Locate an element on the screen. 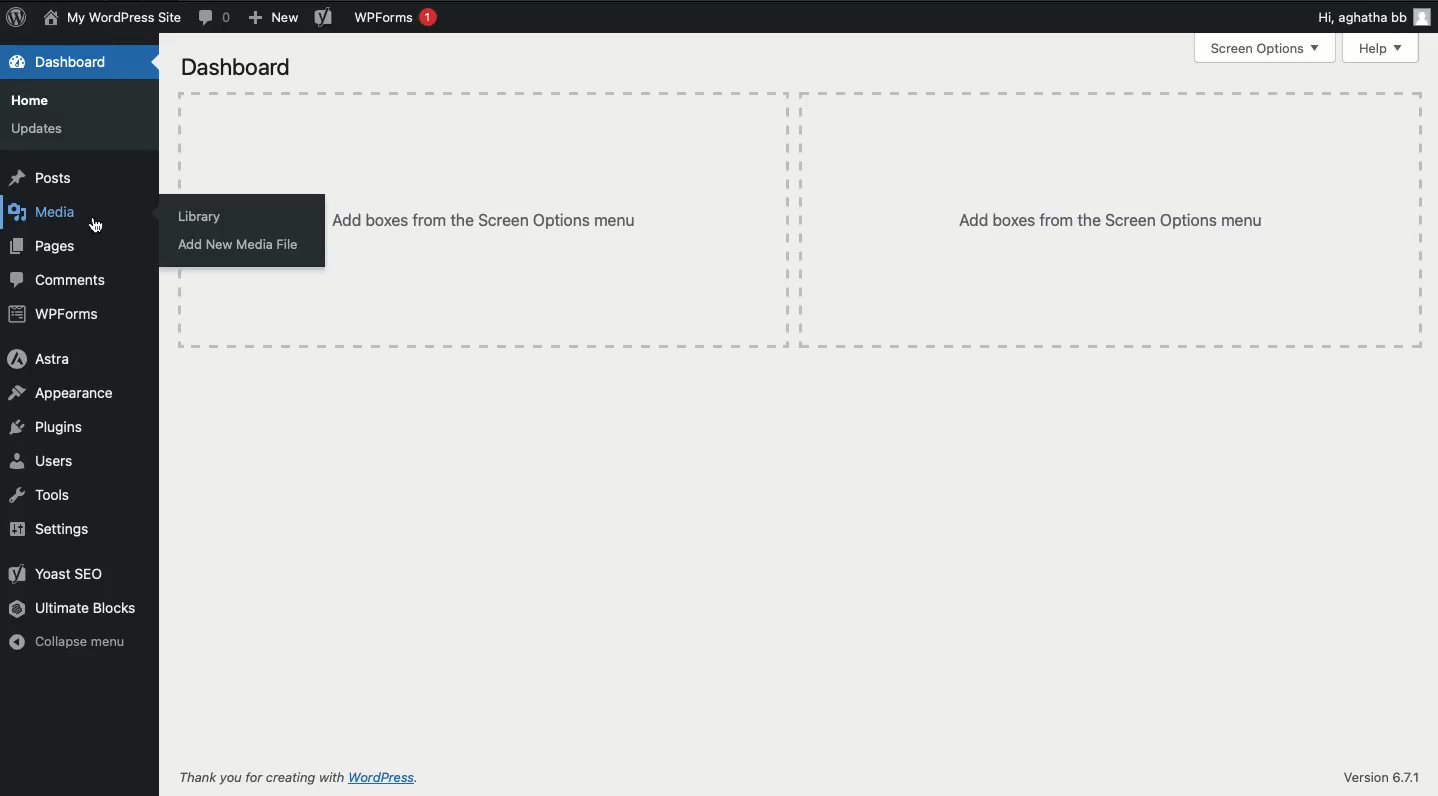 The height and width of the screenshot is (796, 1438). WordPress logo is located at coordinates (16, 17).